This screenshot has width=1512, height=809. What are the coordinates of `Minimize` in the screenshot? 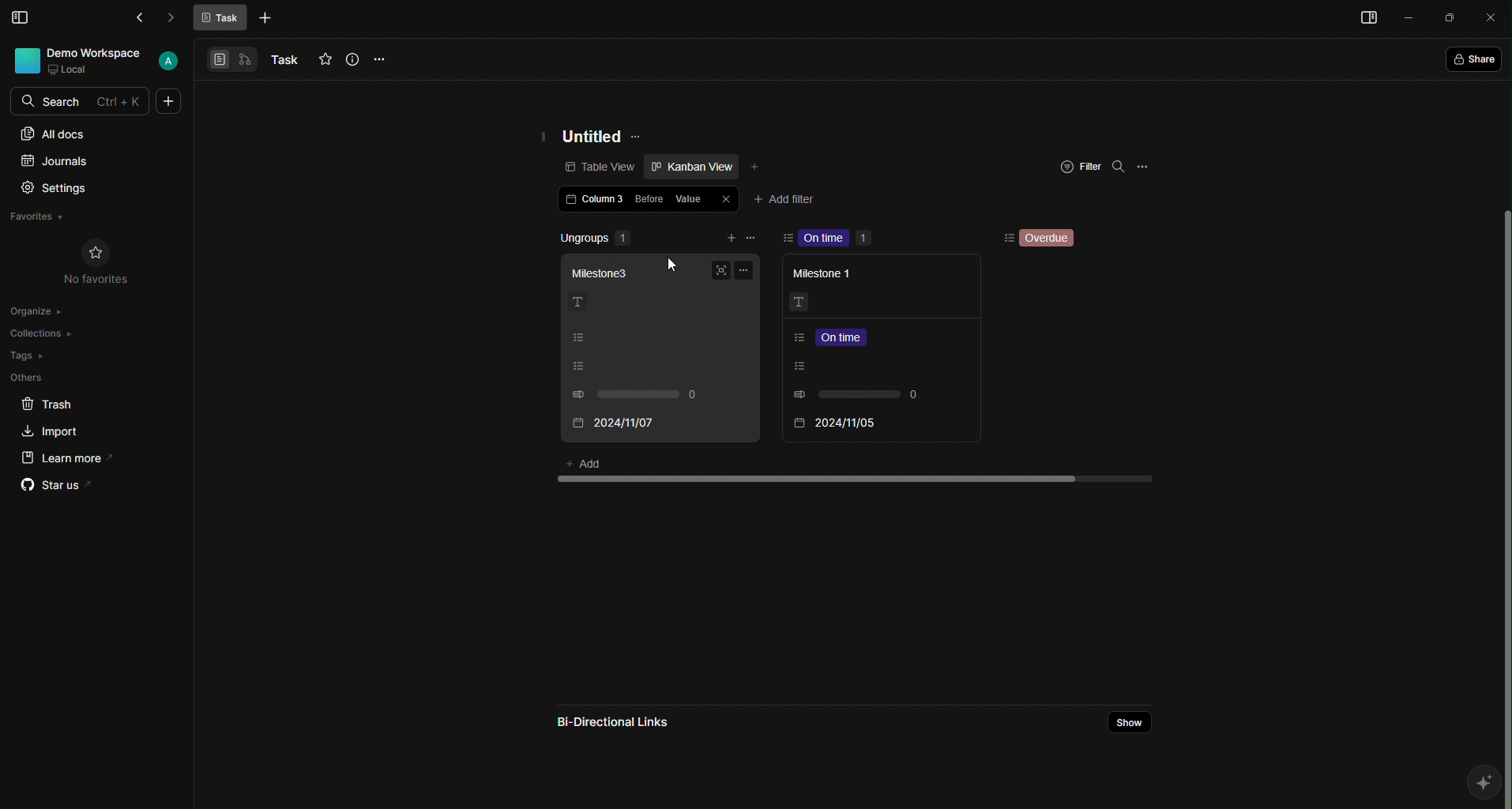 It's located at (1411, 16).